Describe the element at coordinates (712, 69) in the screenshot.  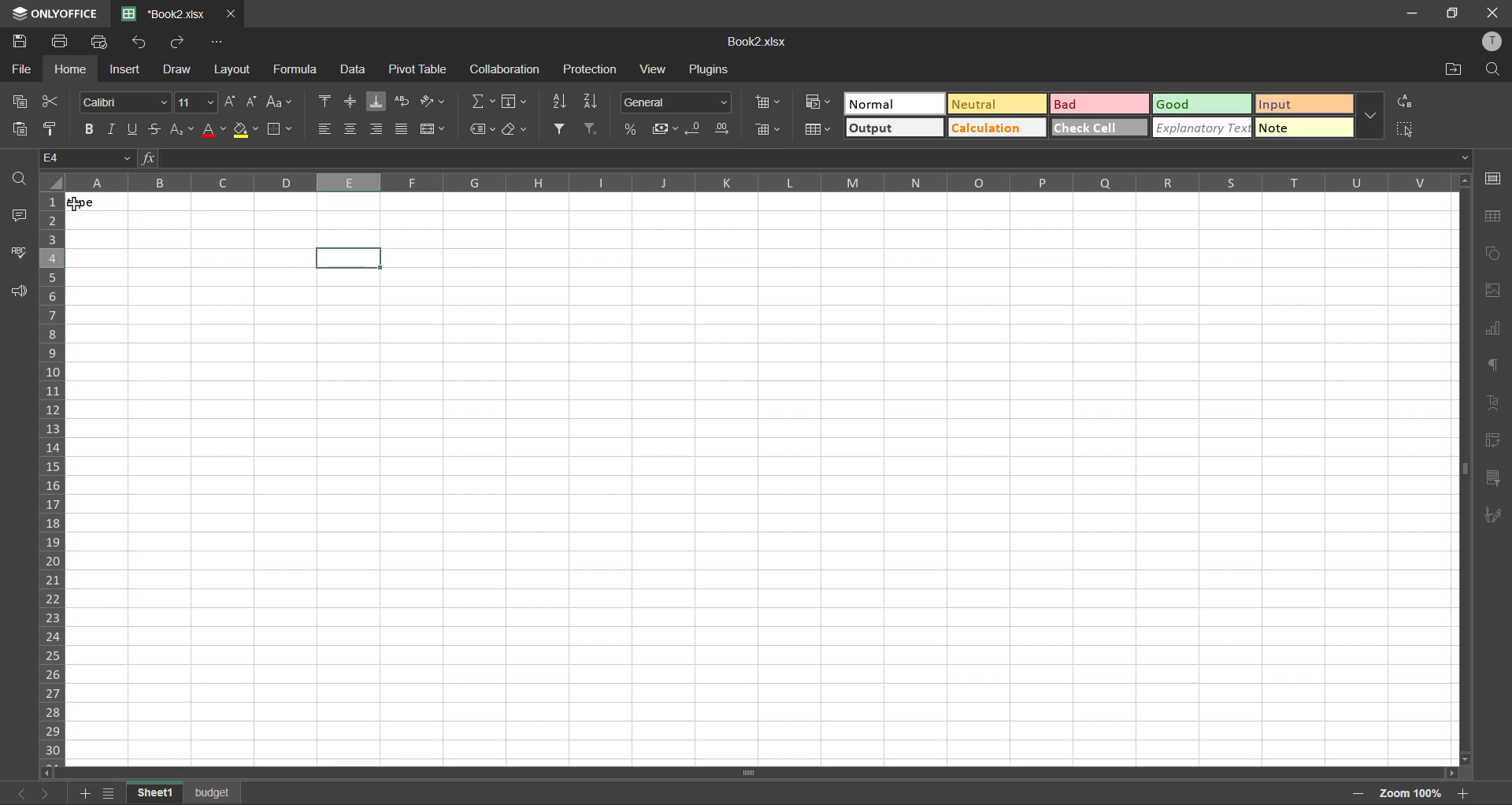
I see `plugins` at that location.